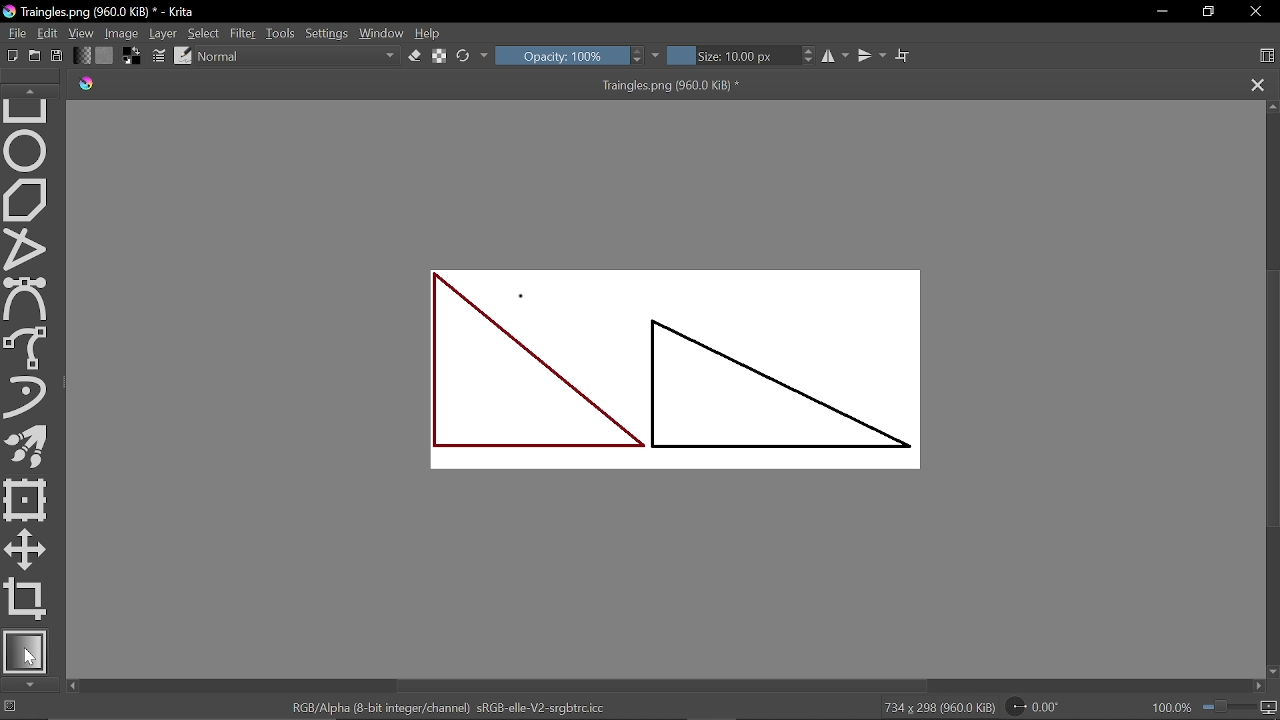 The height and width of the screenshot is (720, 1280). Describe the element at coordinates (157, 55) in the screenshot. I see `Edit brush settings` at that location.